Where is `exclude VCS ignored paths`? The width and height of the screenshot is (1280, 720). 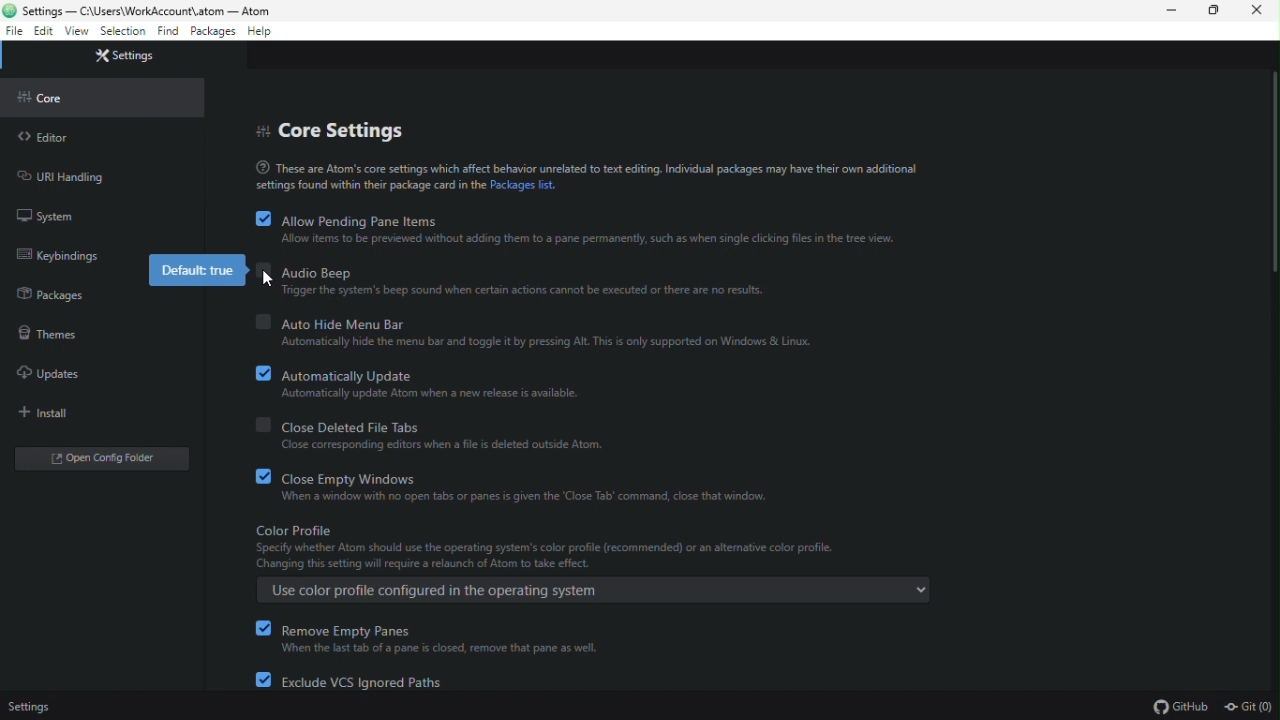 exclude VCS ignored paths is located at coordinates (368, 682).